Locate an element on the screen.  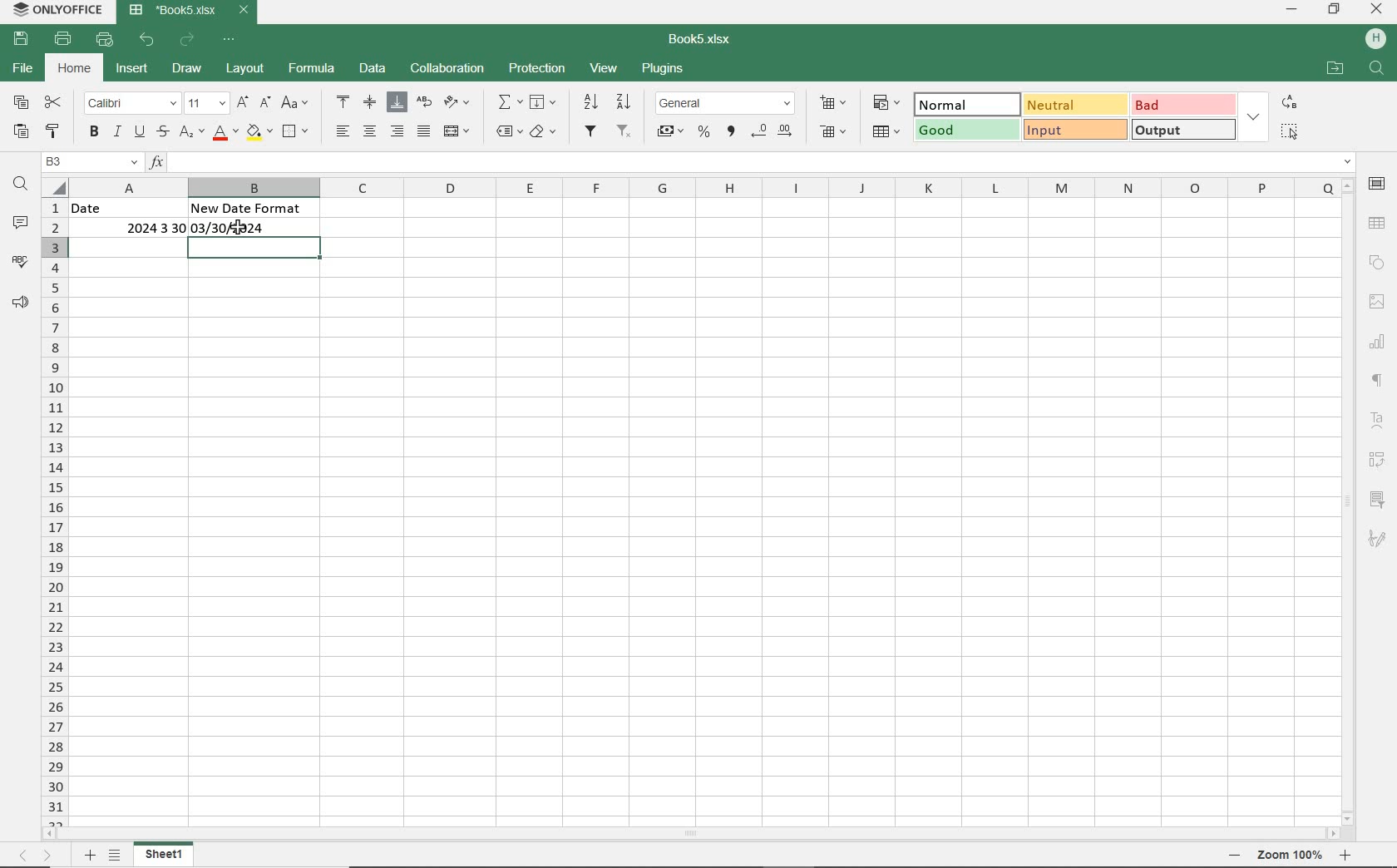
FIND is located at coordinates (22, 188).